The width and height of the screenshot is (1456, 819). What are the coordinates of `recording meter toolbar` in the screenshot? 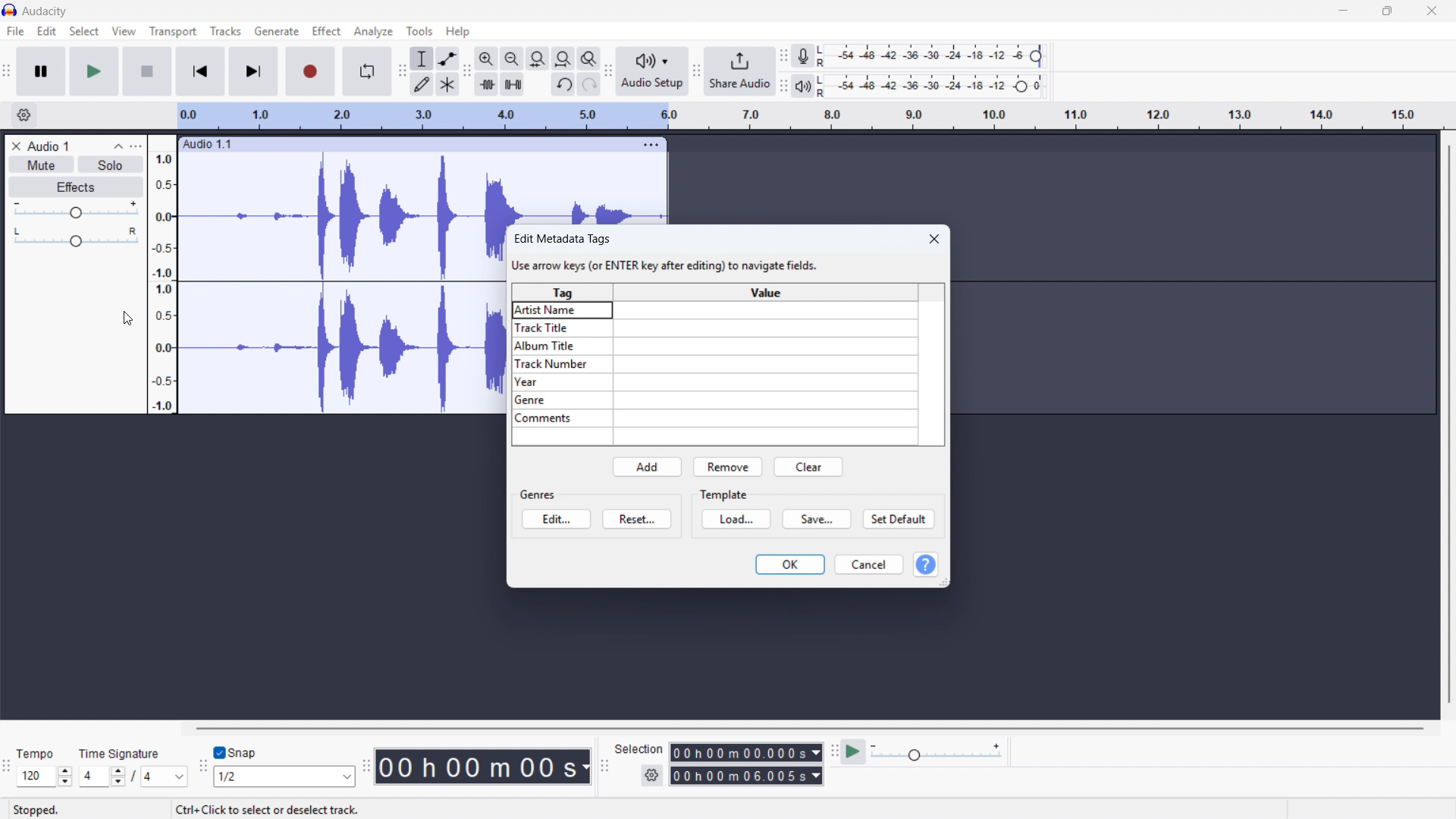 It's located at (783, 56).